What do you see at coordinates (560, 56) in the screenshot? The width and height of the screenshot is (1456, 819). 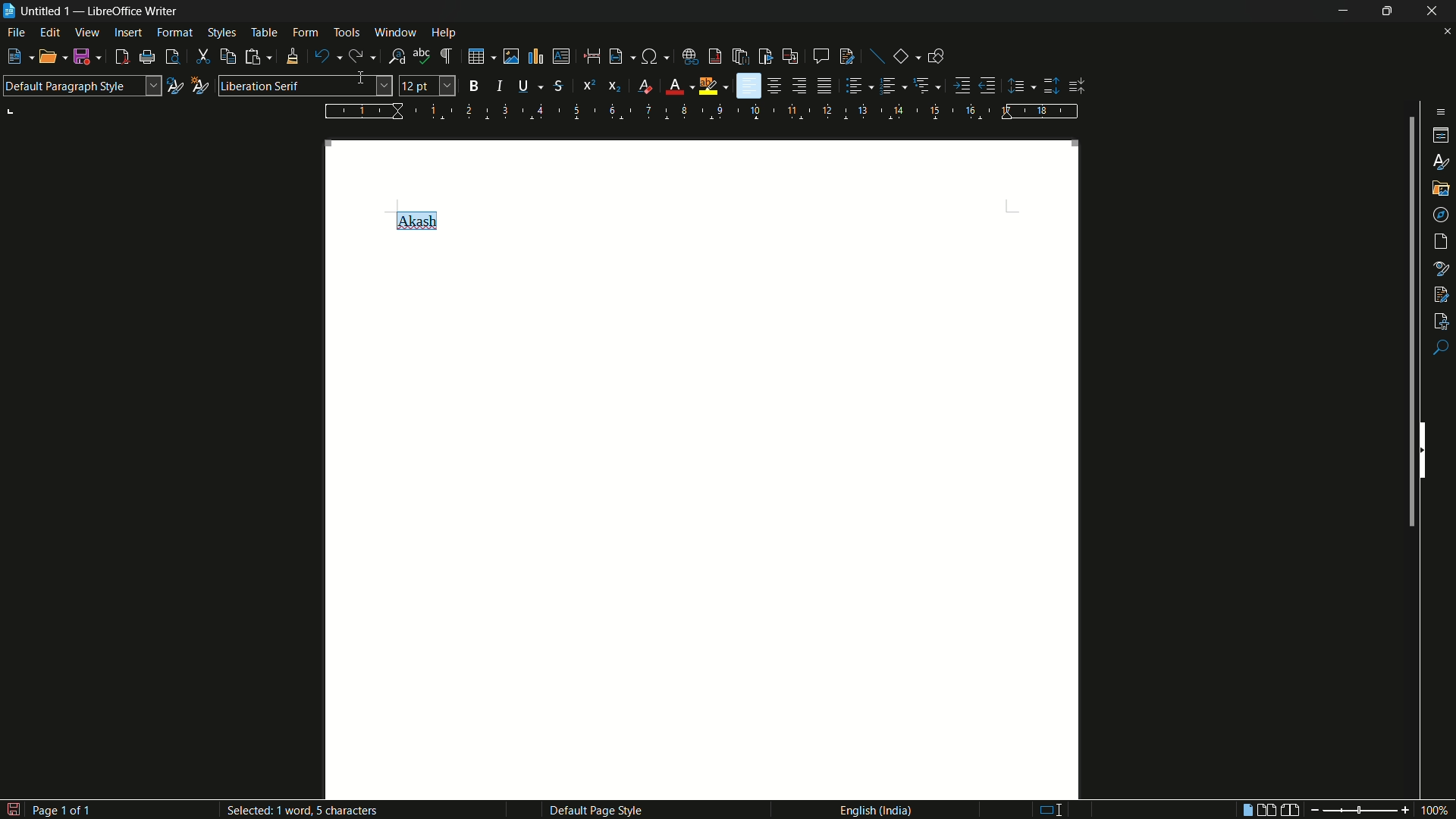 I see `insert text box` at bounding box center [560, 56].